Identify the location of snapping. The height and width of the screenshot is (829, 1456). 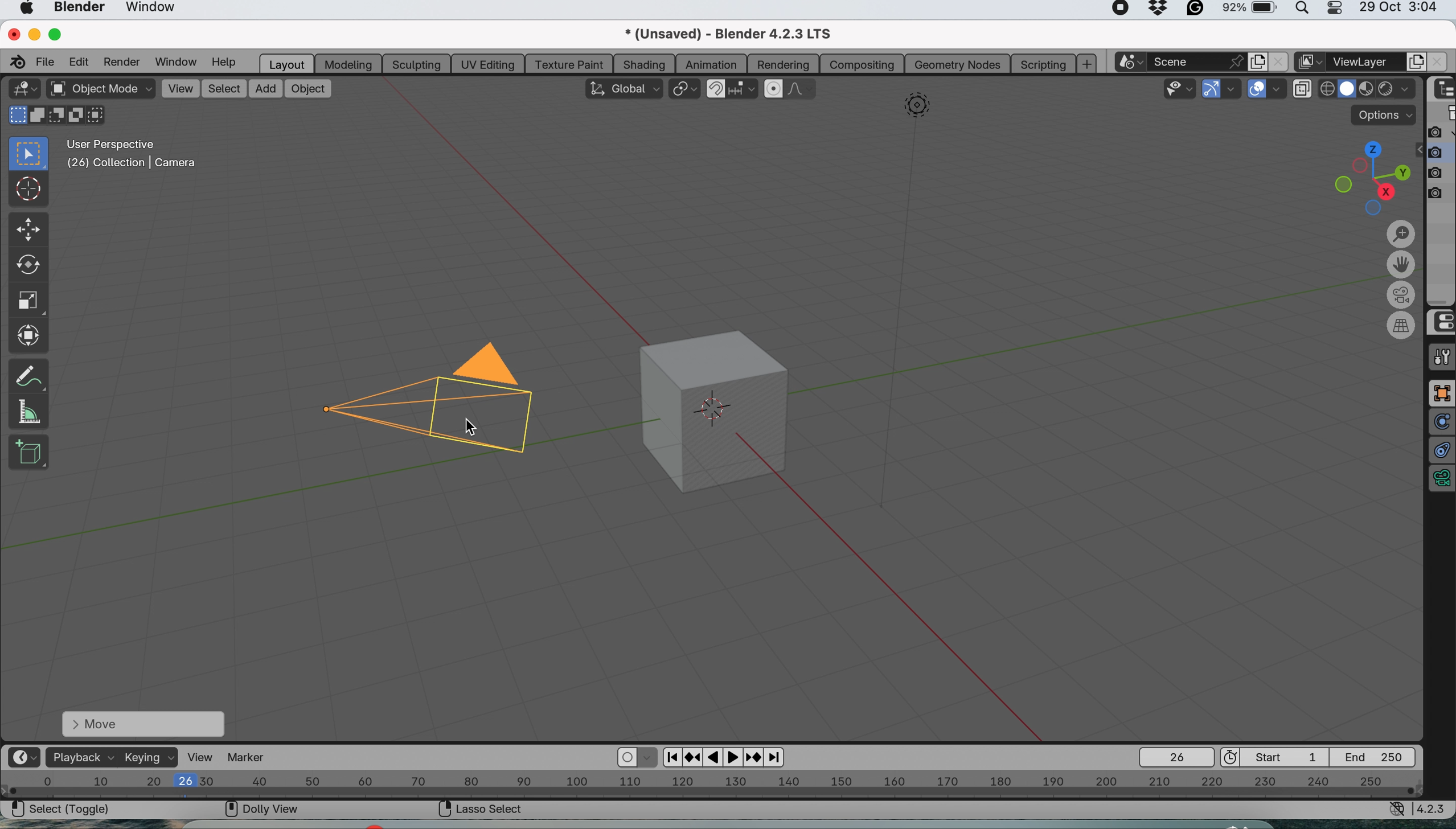
(744, 90).